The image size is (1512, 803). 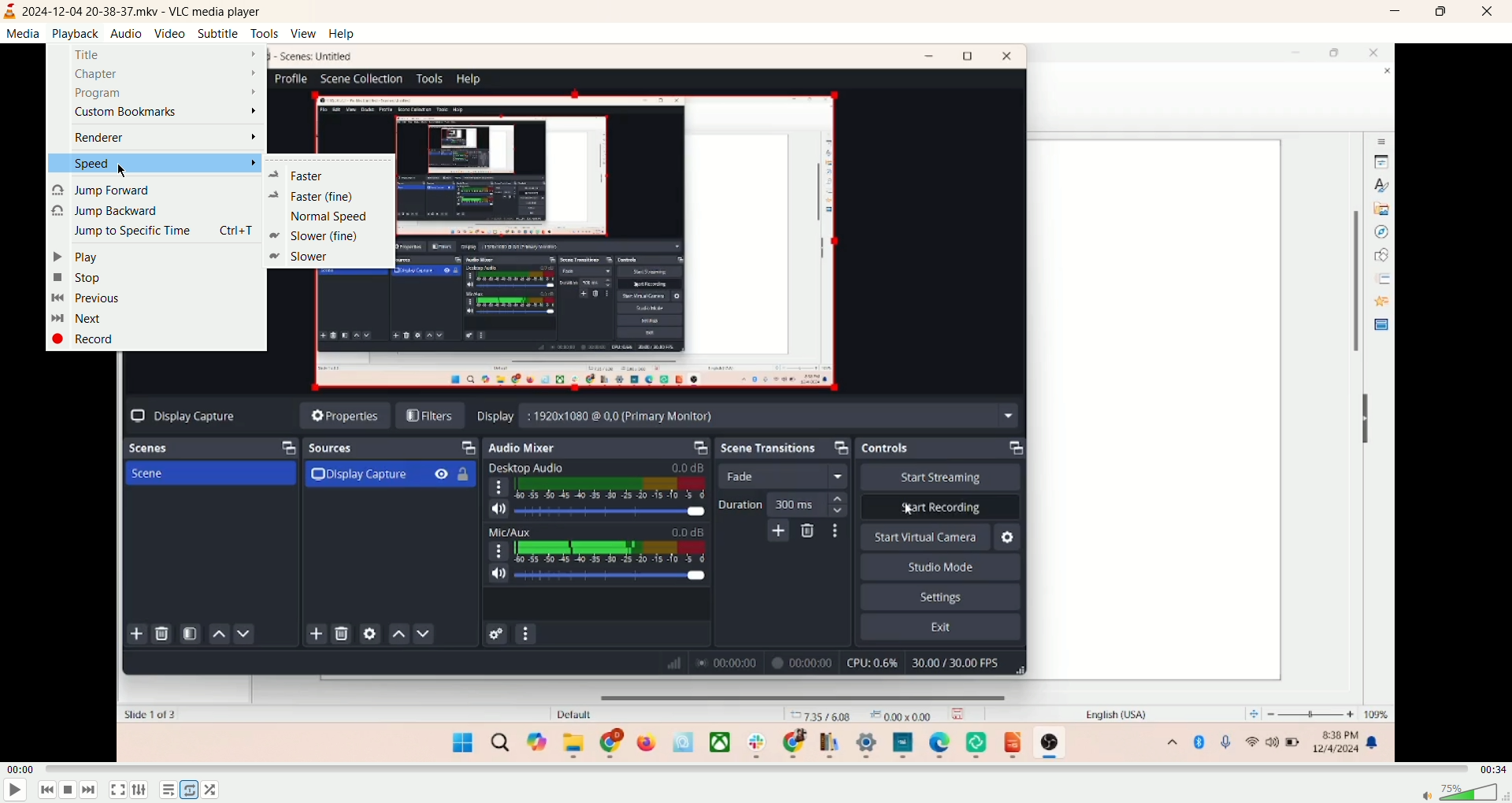 I want to click on loop, so click(x=187, y=790).